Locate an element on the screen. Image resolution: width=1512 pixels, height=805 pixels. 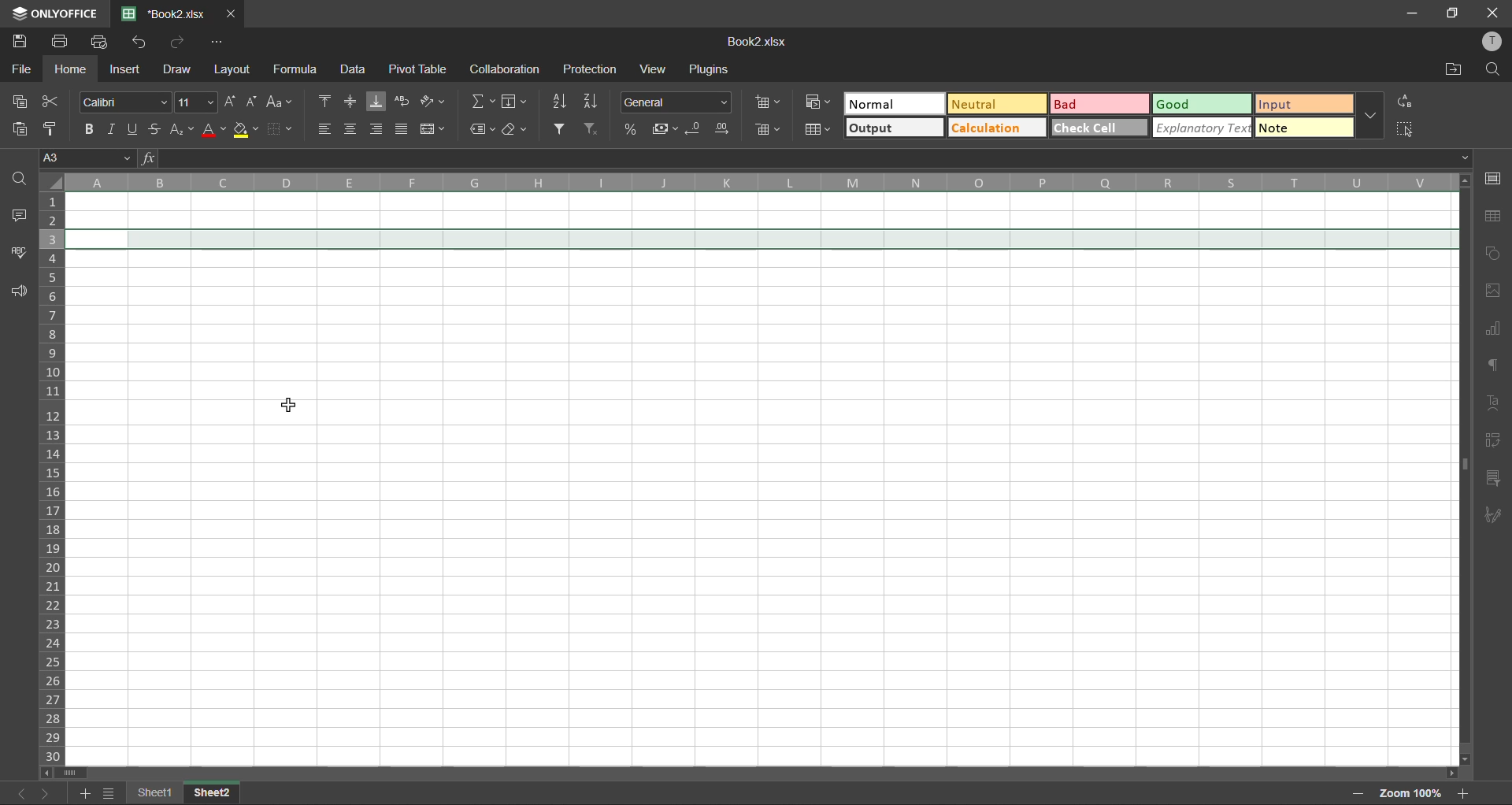
delete cells is located at coordinates (769, 131).